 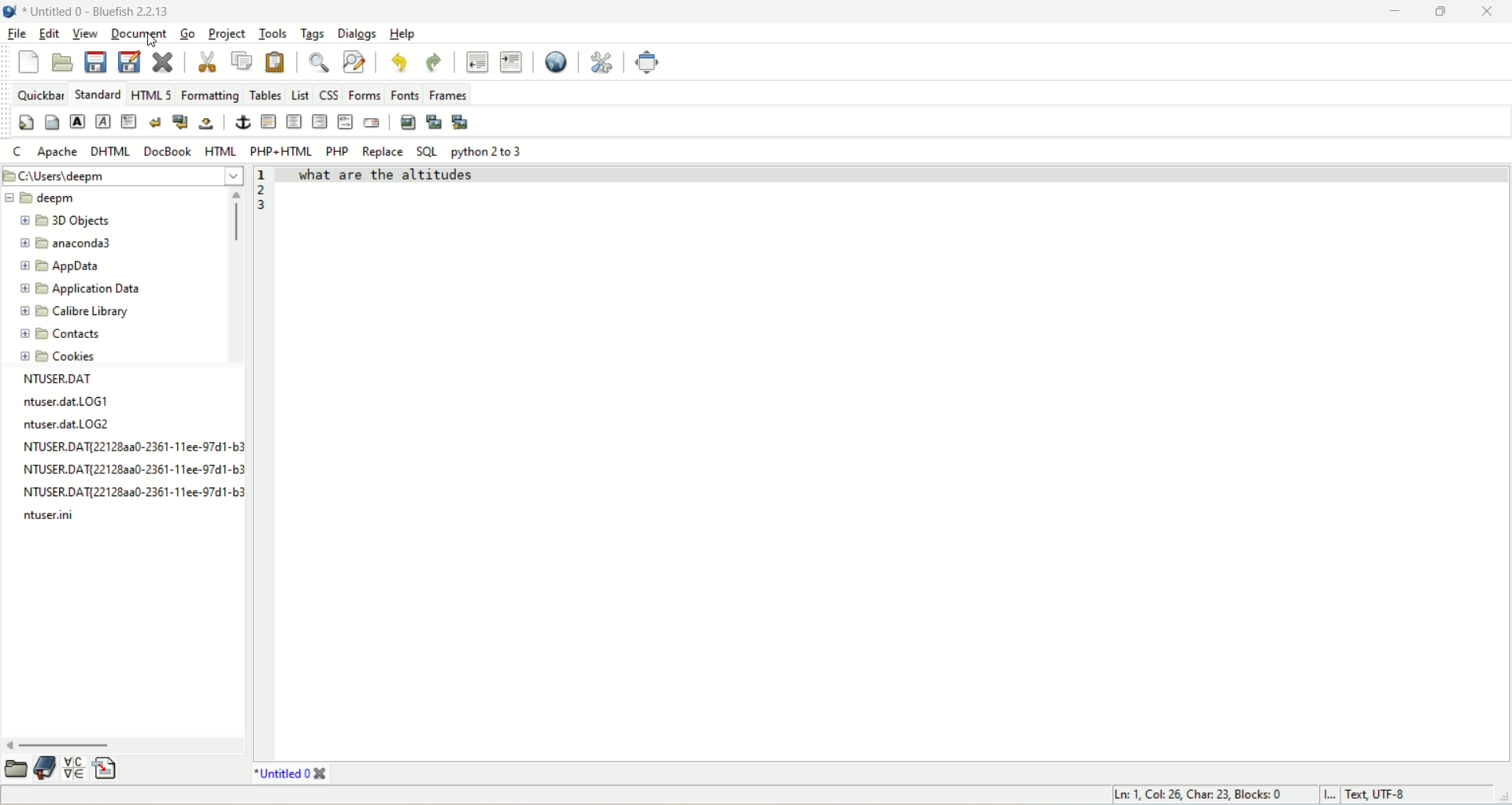 I want to click on body, so click(x=54, y=124).